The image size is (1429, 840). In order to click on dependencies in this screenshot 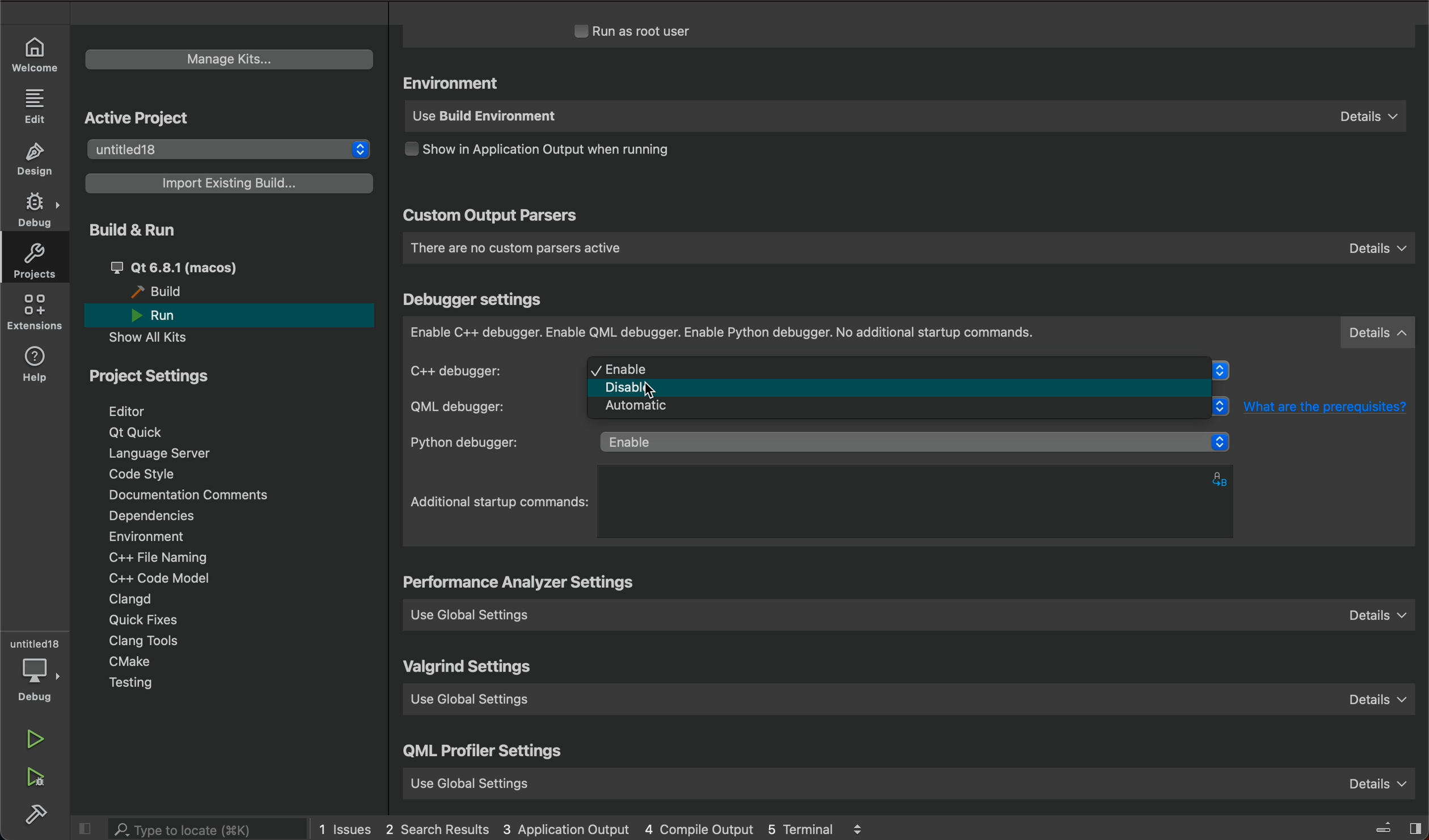, I will do `click(150, 515)`.